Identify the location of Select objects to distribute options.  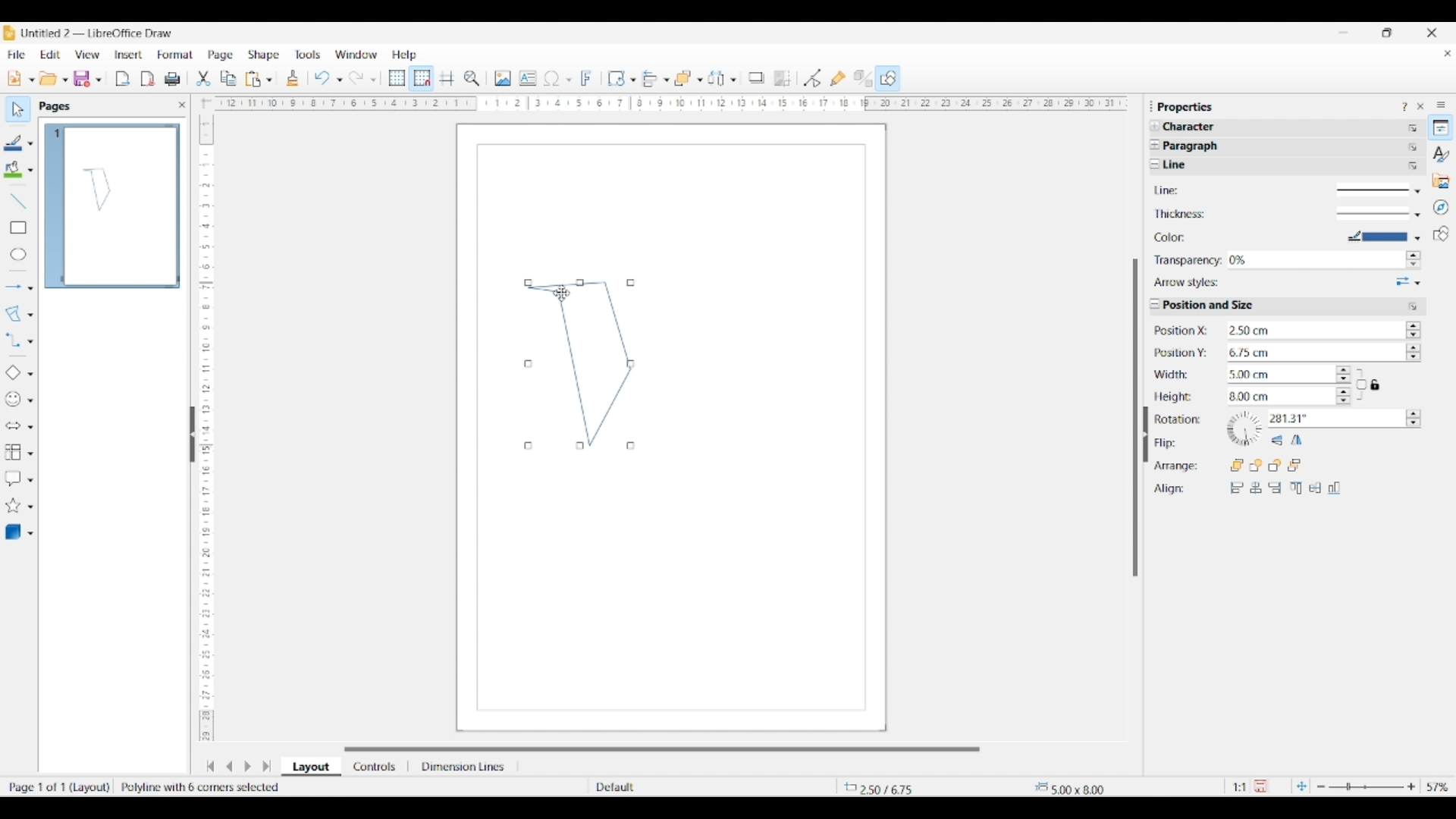
(733, 80).